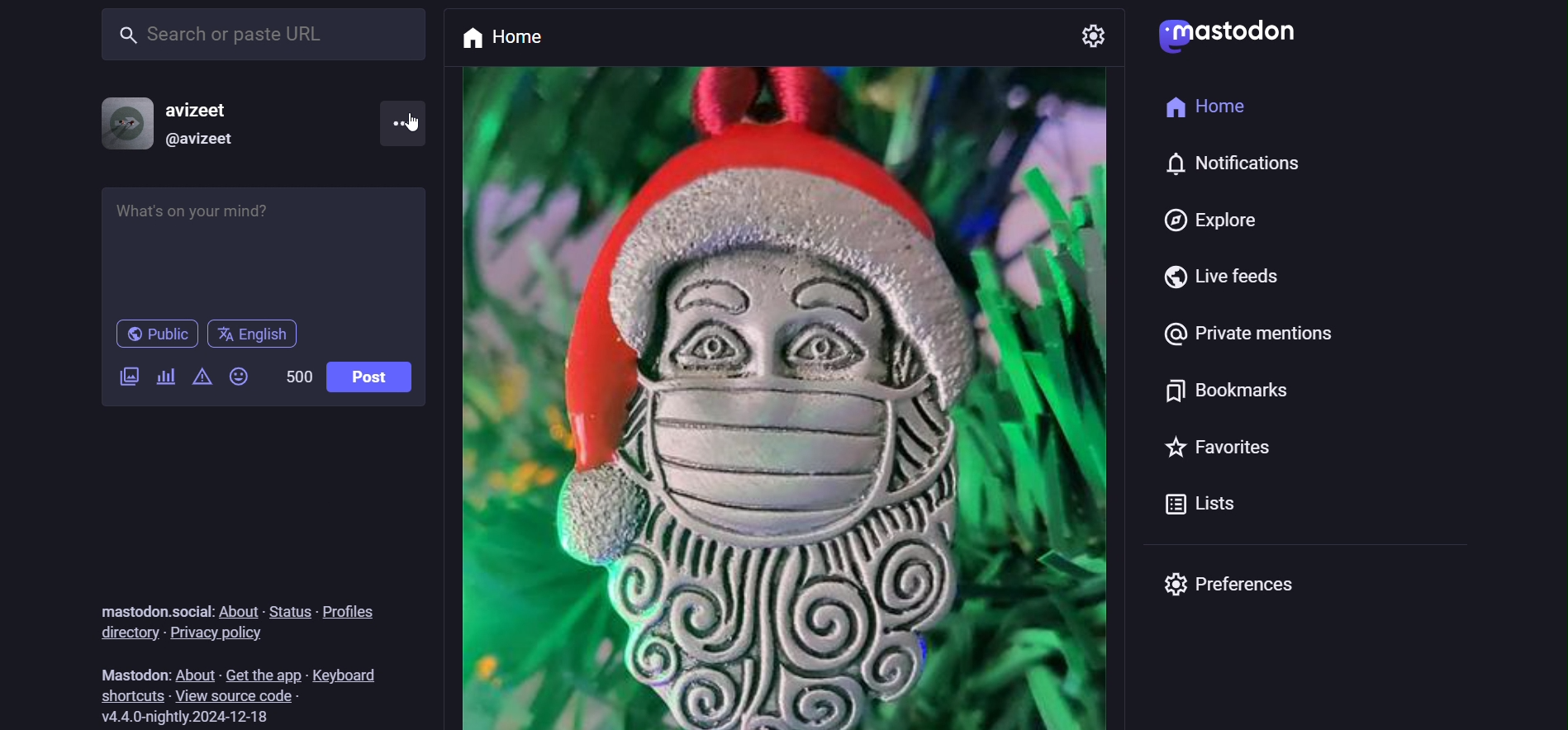 This screenshot has width=1568, height=730. Describe the element at coordinates (129, 673) in the screenshot. I see `Mastodon` at that location.